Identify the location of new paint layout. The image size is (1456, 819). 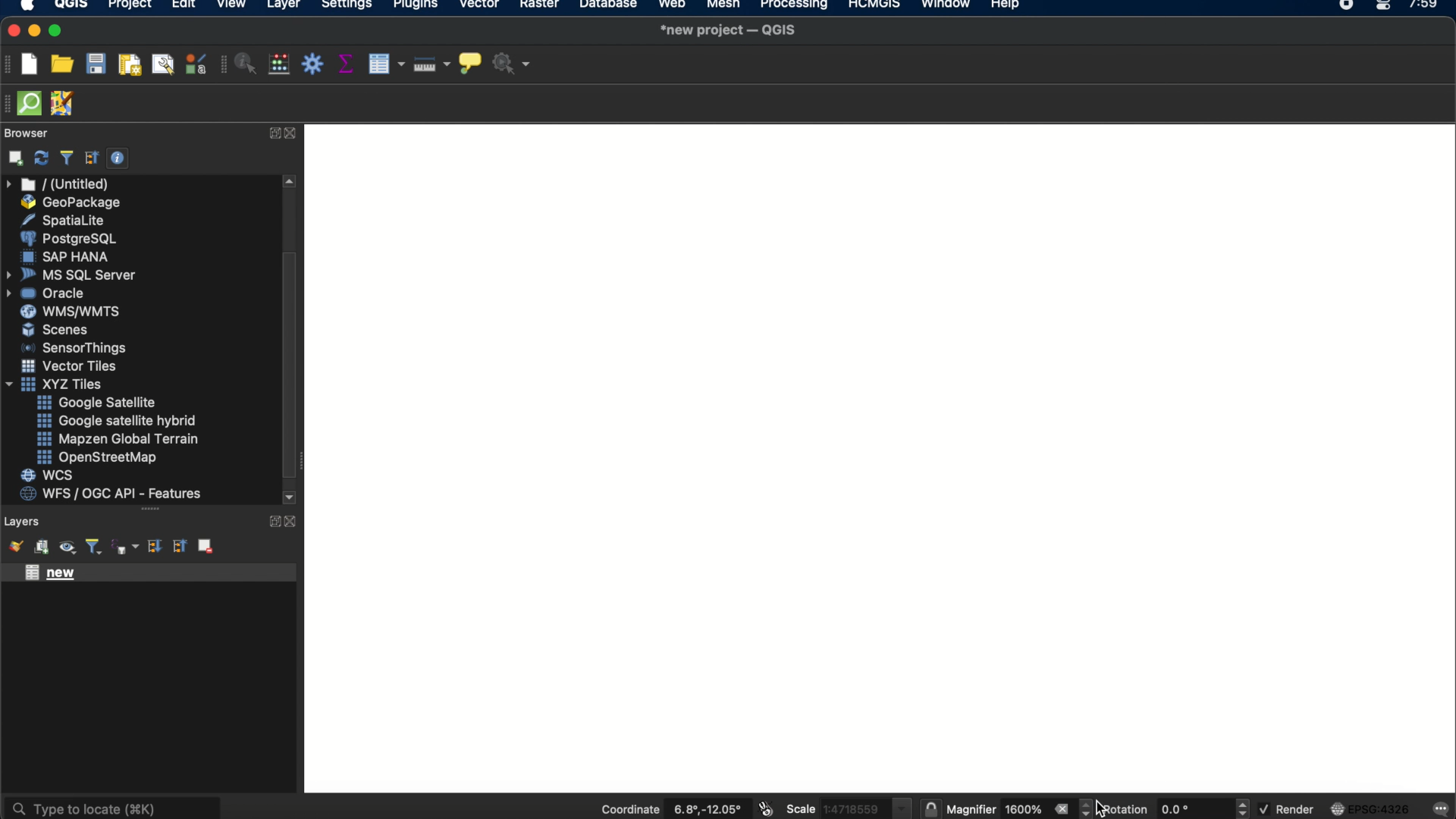
(128, 66).